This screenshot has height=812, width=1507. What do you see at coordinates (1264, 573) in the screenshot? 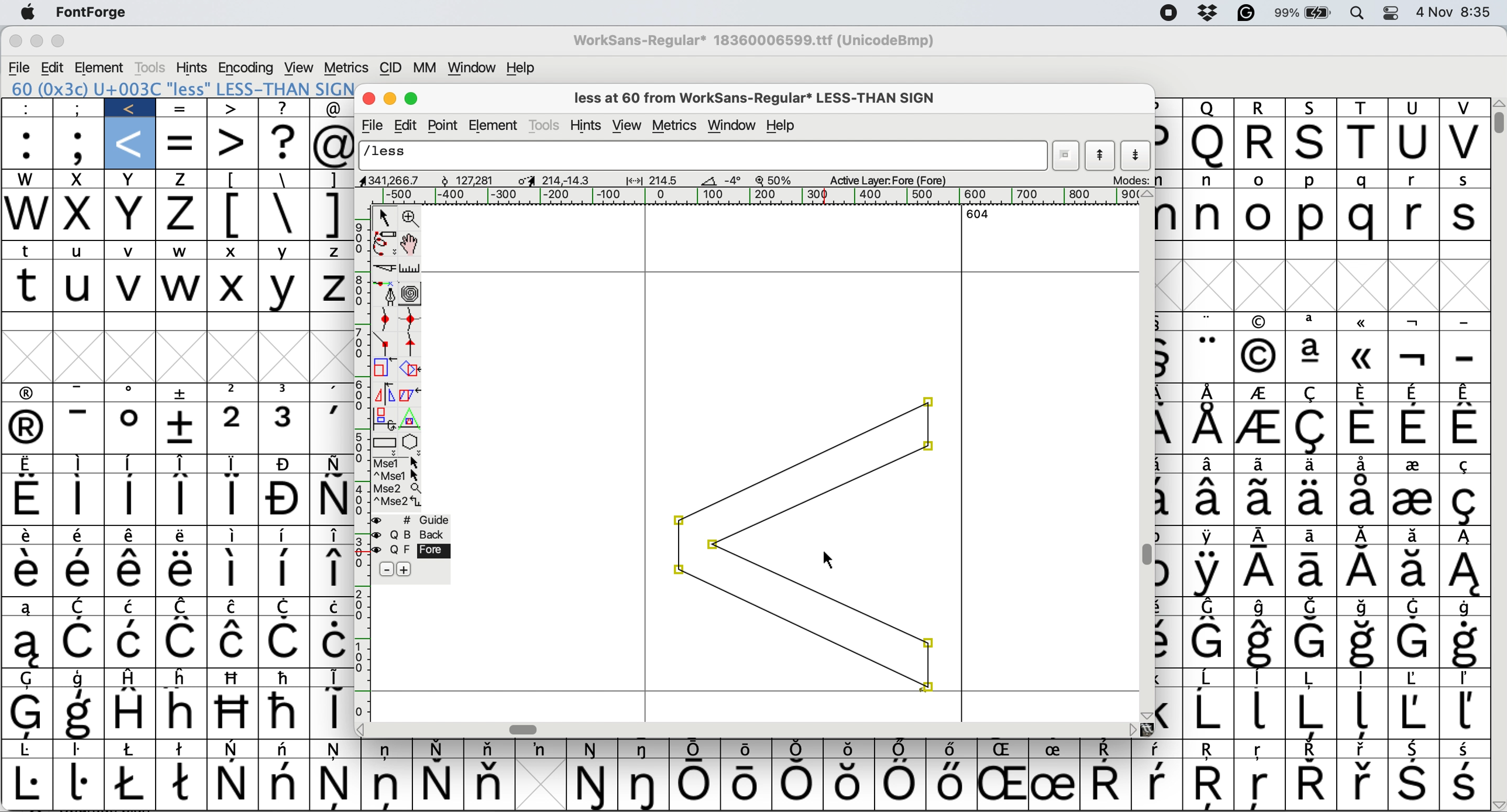
I see `Symbol` at bounding box center [1264, 573].